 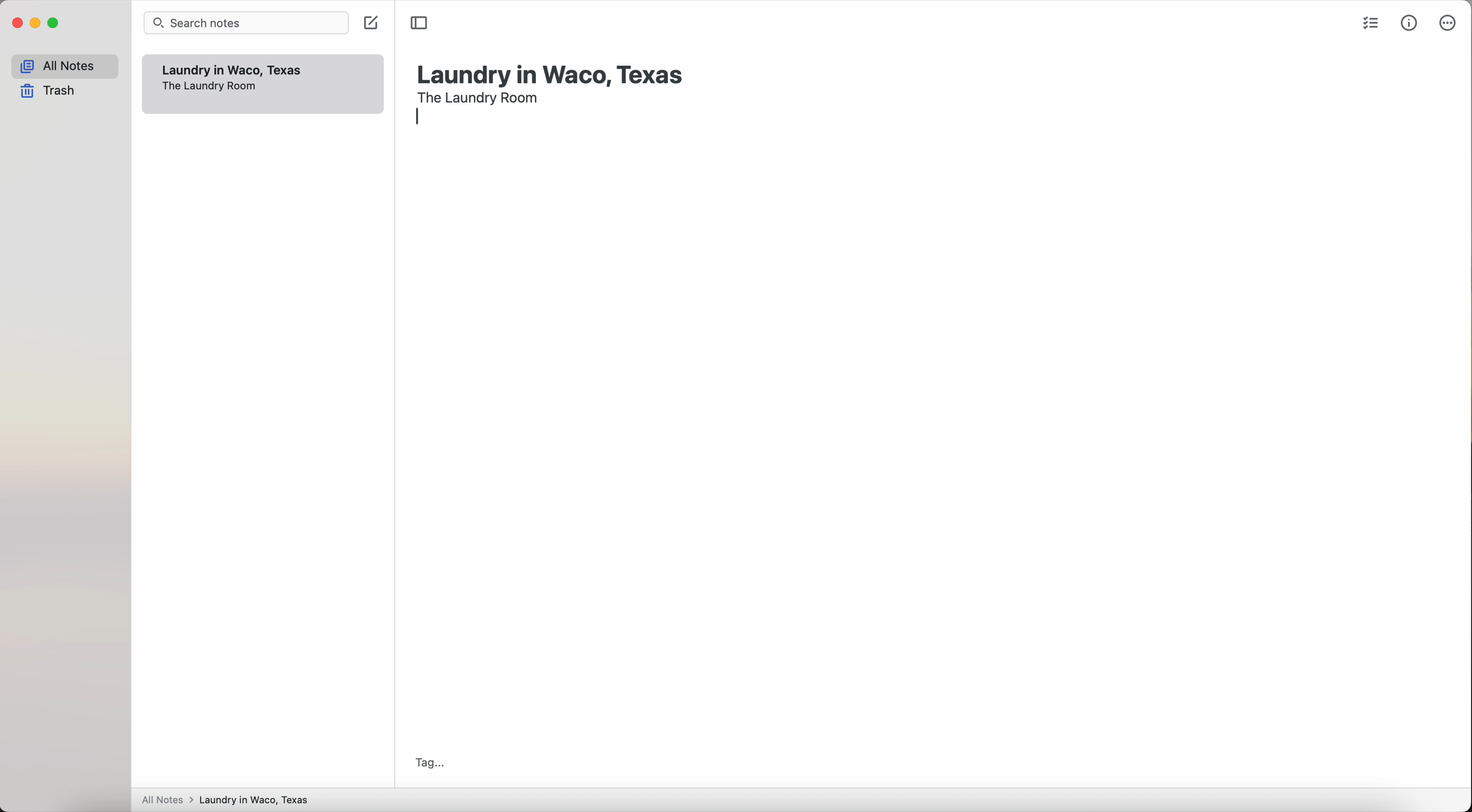 I want to click on all notes, so click(x=65, y=66).